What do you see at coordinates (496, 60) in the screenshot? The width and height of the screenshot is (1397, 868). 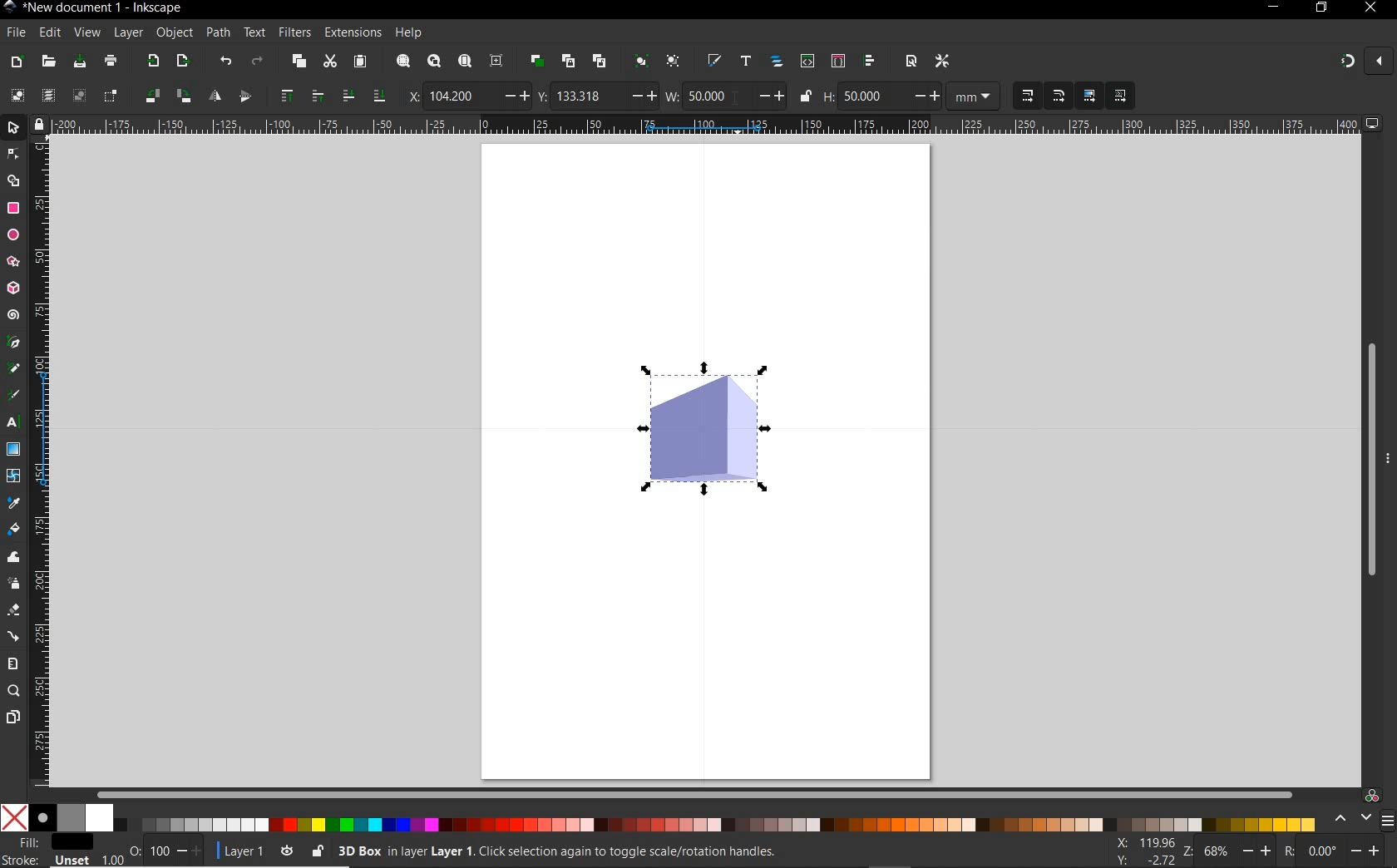 I see `zoom center page` at bounding box center [496, 60].